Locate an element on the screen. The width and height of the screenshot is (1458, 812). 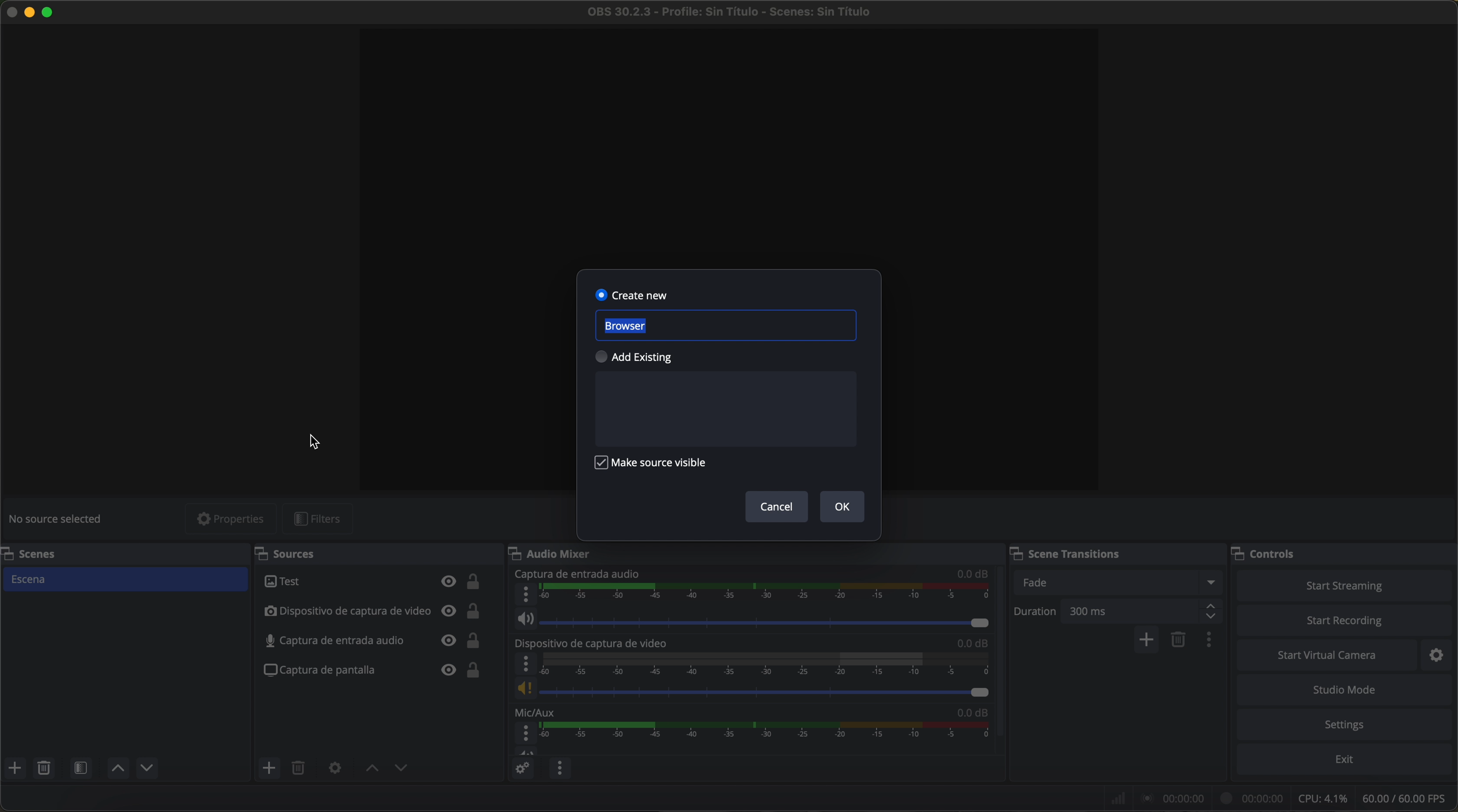
properties is located at coordinates (232, 518).